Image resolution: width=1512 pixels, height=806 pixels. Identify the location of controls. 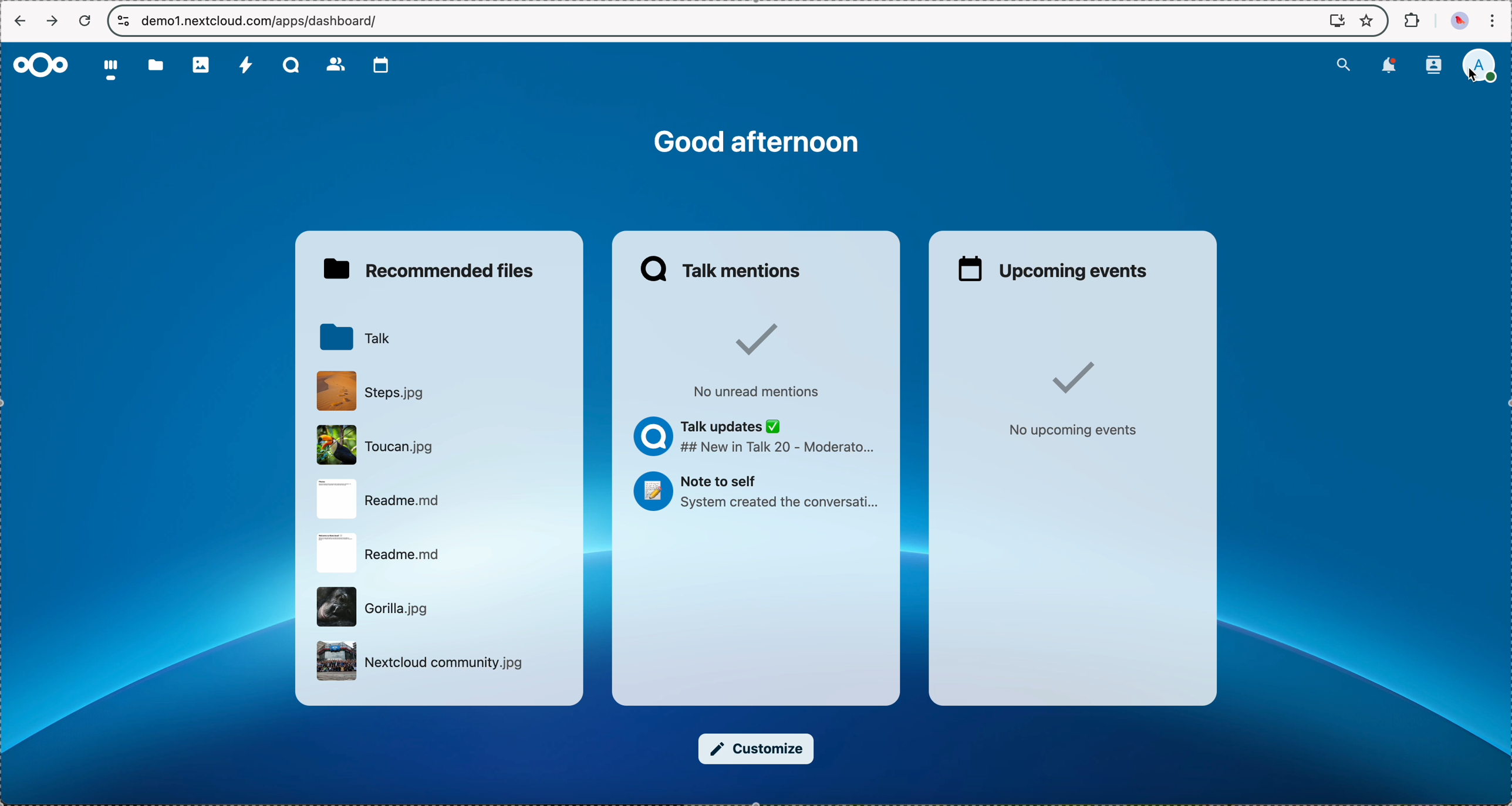
(121, 21).